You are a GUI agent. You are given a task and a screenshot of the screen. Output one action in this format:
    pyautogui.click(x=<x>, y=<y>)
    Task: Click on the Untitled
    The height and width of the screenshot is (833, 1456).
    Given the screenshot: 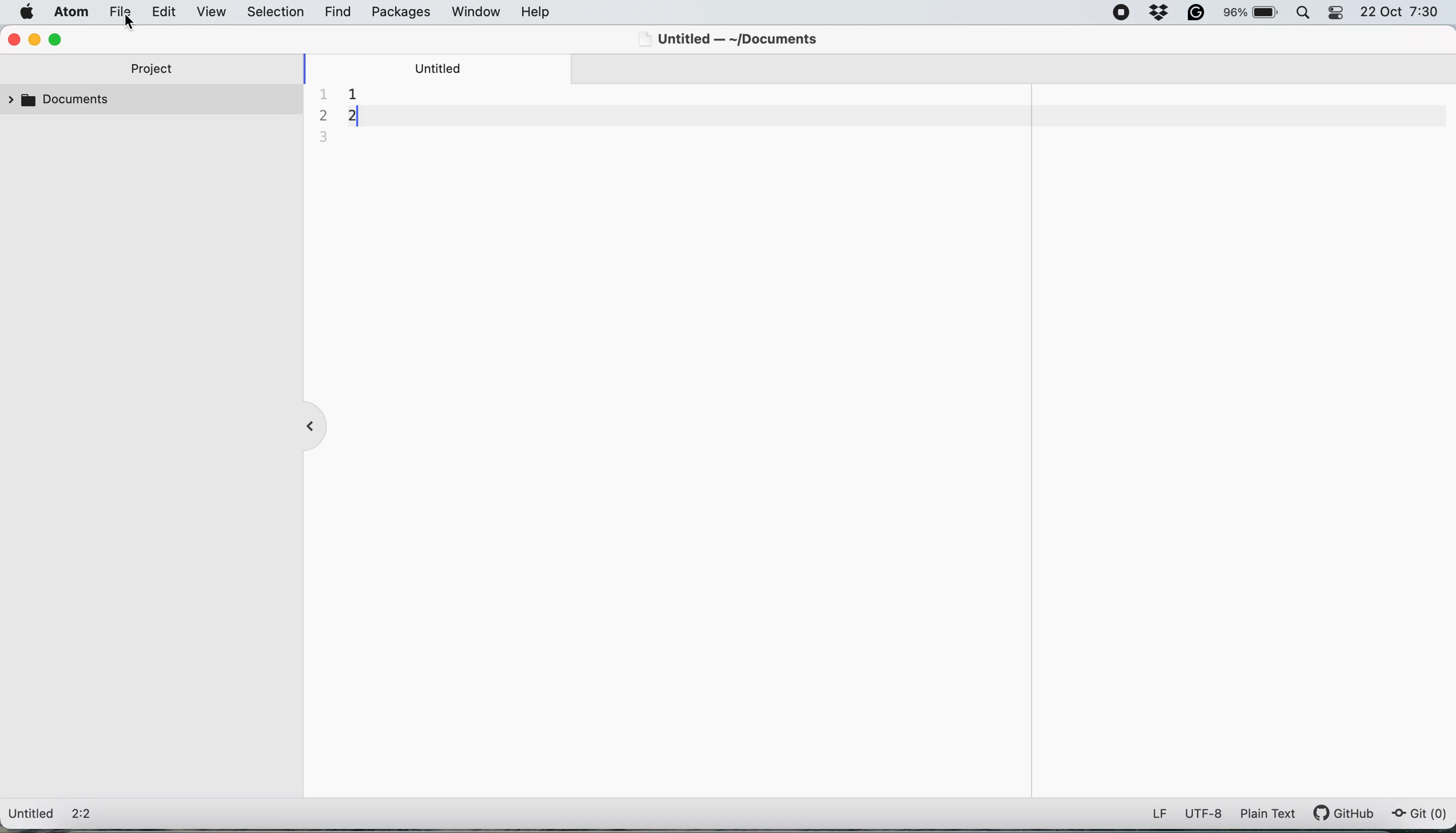 What is the action you would take?
    pyautogui.click(x=32, y=815)
    